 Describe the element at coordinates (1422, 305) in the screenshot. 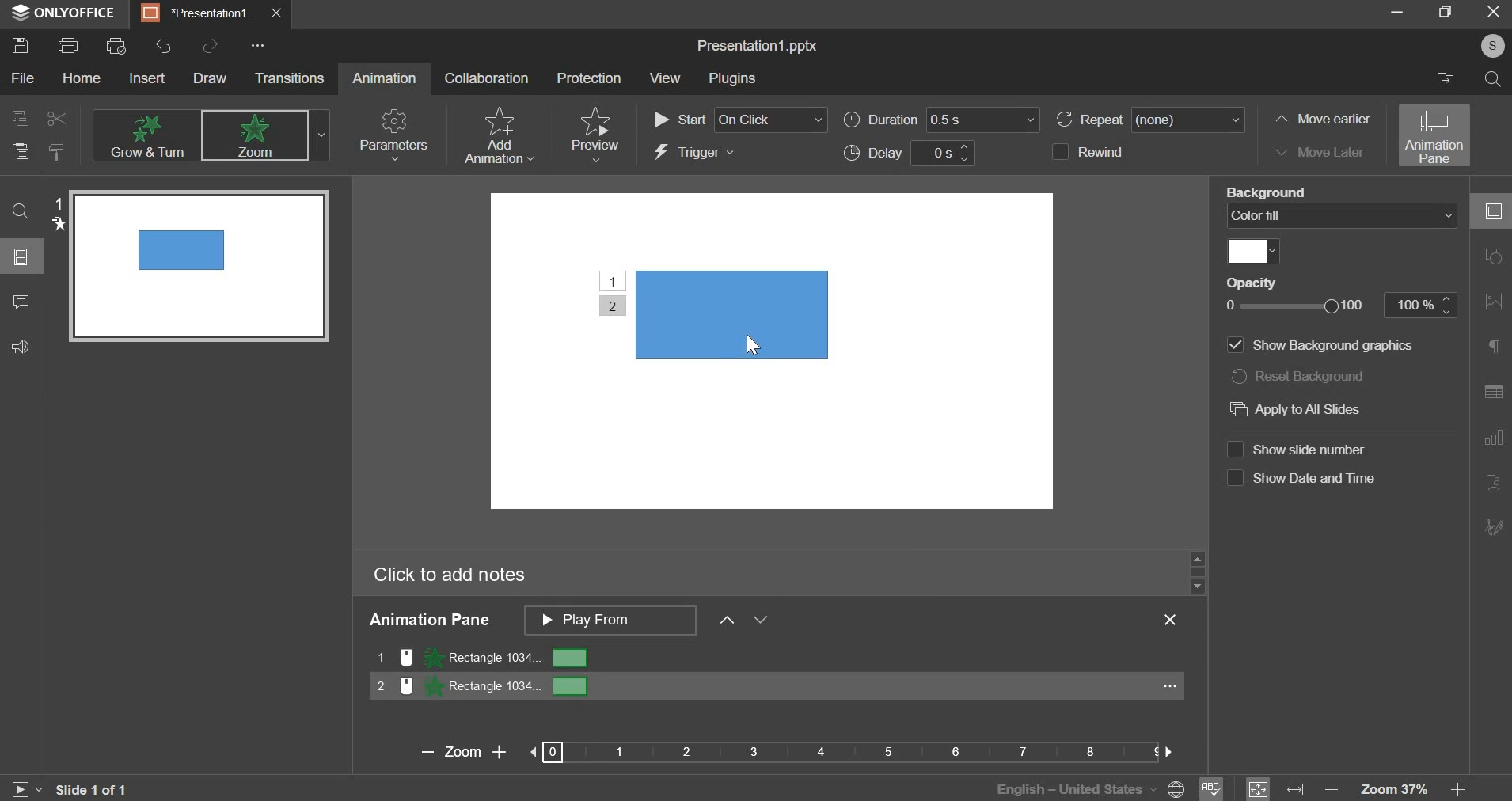

I see `100%` at that location.